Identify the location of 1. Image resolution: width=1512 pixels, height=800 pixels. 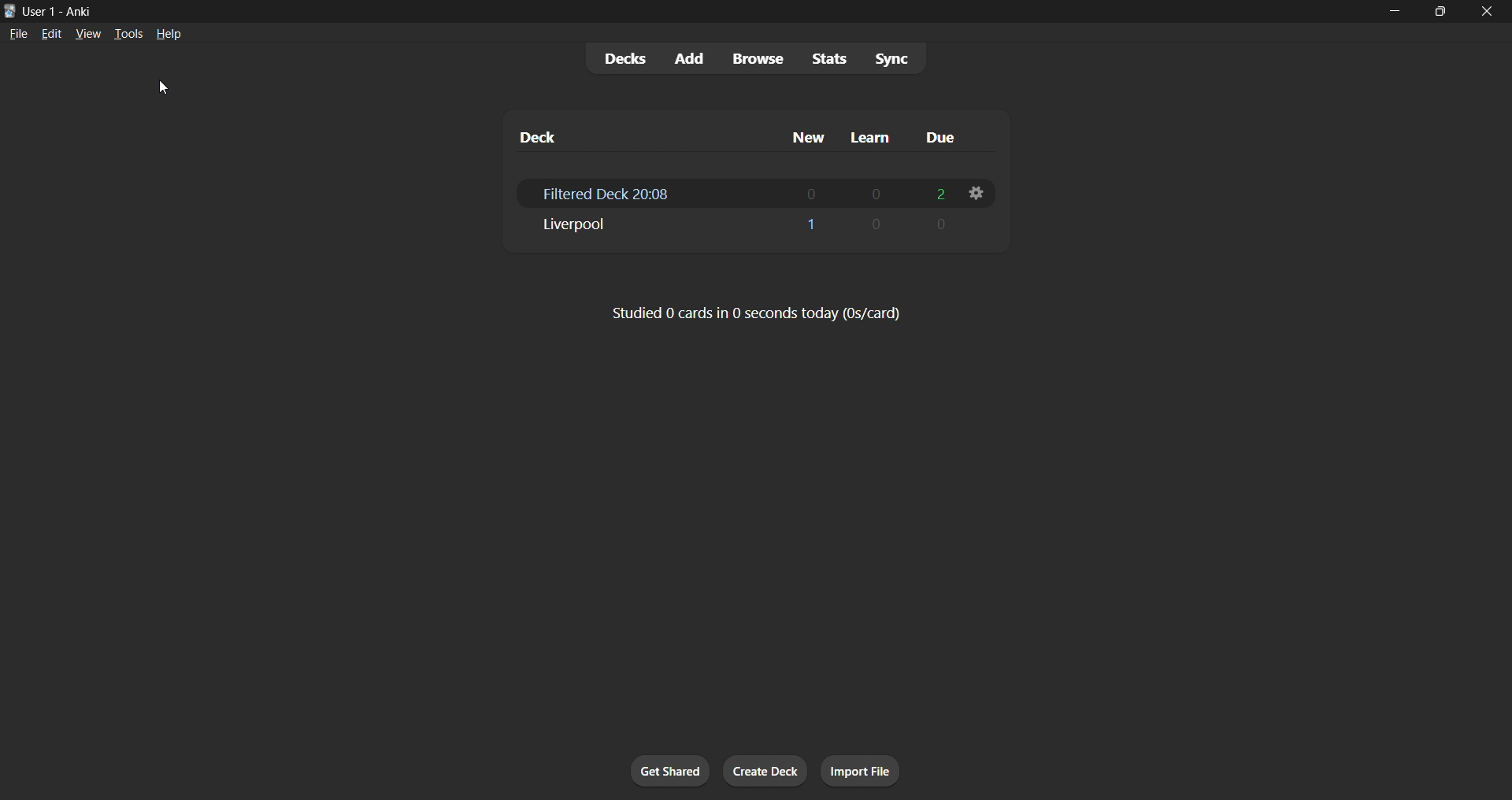
(813, 194).